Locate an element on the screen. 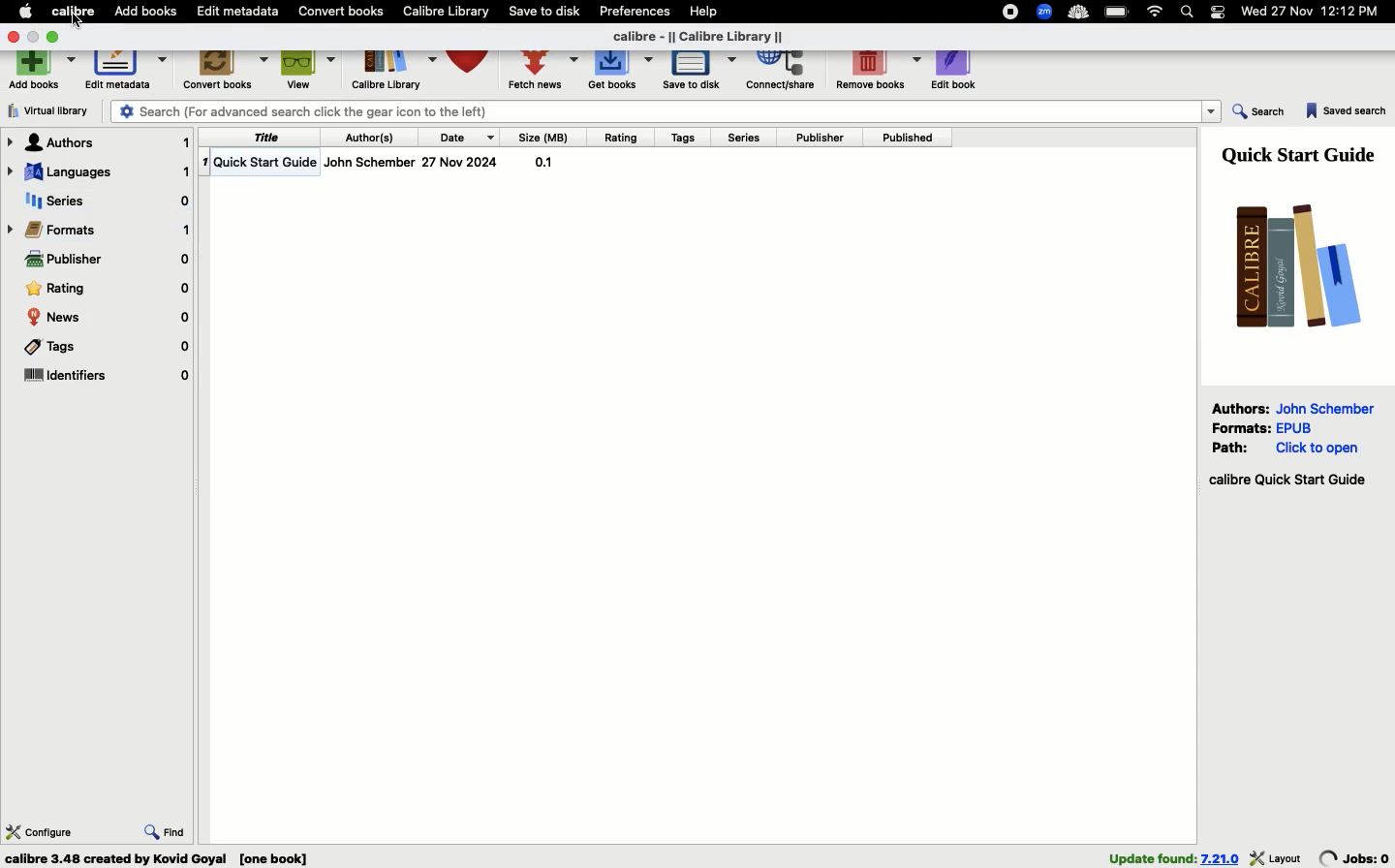 This screenshot has width=1395, height=868. Series is located at coordinates (104, 202).